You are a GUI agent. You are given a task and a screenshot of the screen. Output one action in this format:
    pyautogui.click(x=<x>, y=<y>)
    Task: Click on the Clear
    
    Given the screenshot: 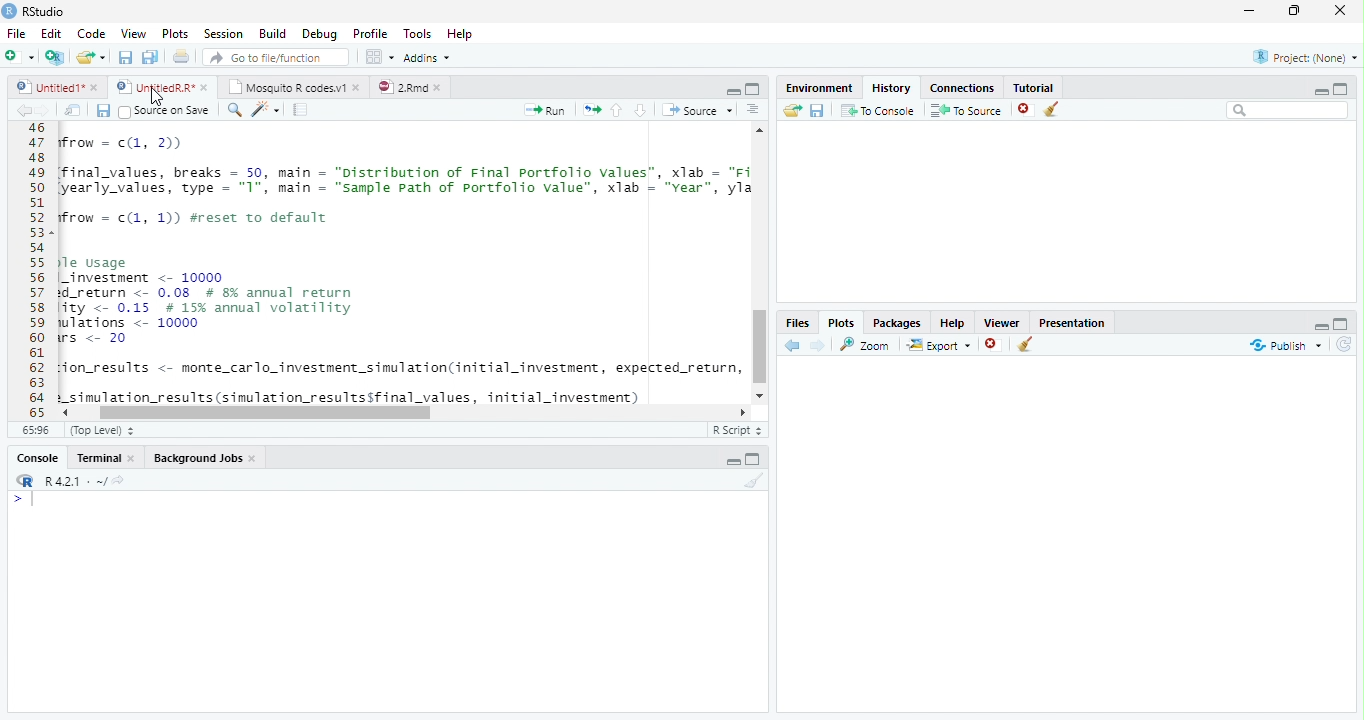 What is the action you would take?
    pyautogui.click(x=751, y=481)
    